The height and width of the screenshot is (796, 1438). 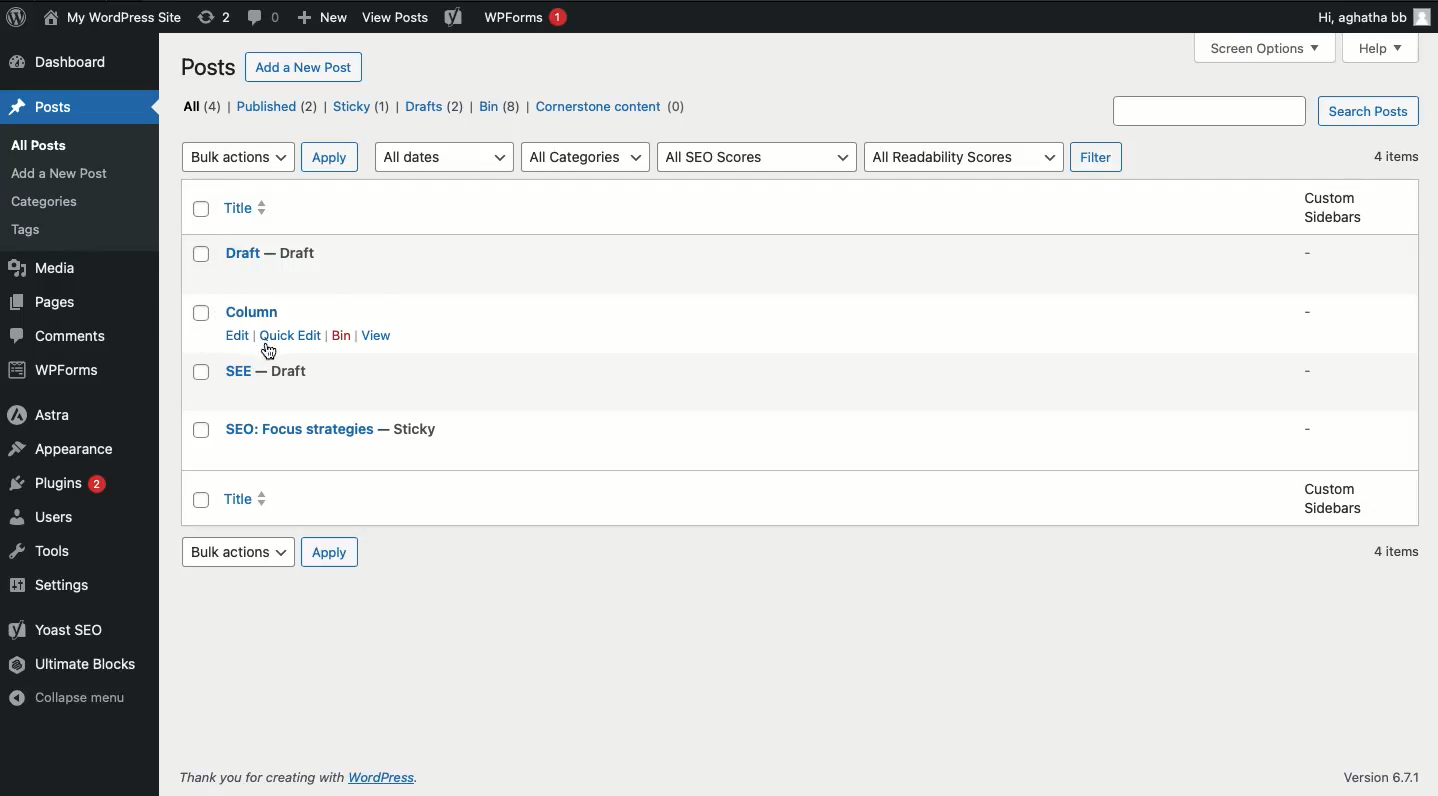 I want to click on Pages, so click(x=47, y=304).